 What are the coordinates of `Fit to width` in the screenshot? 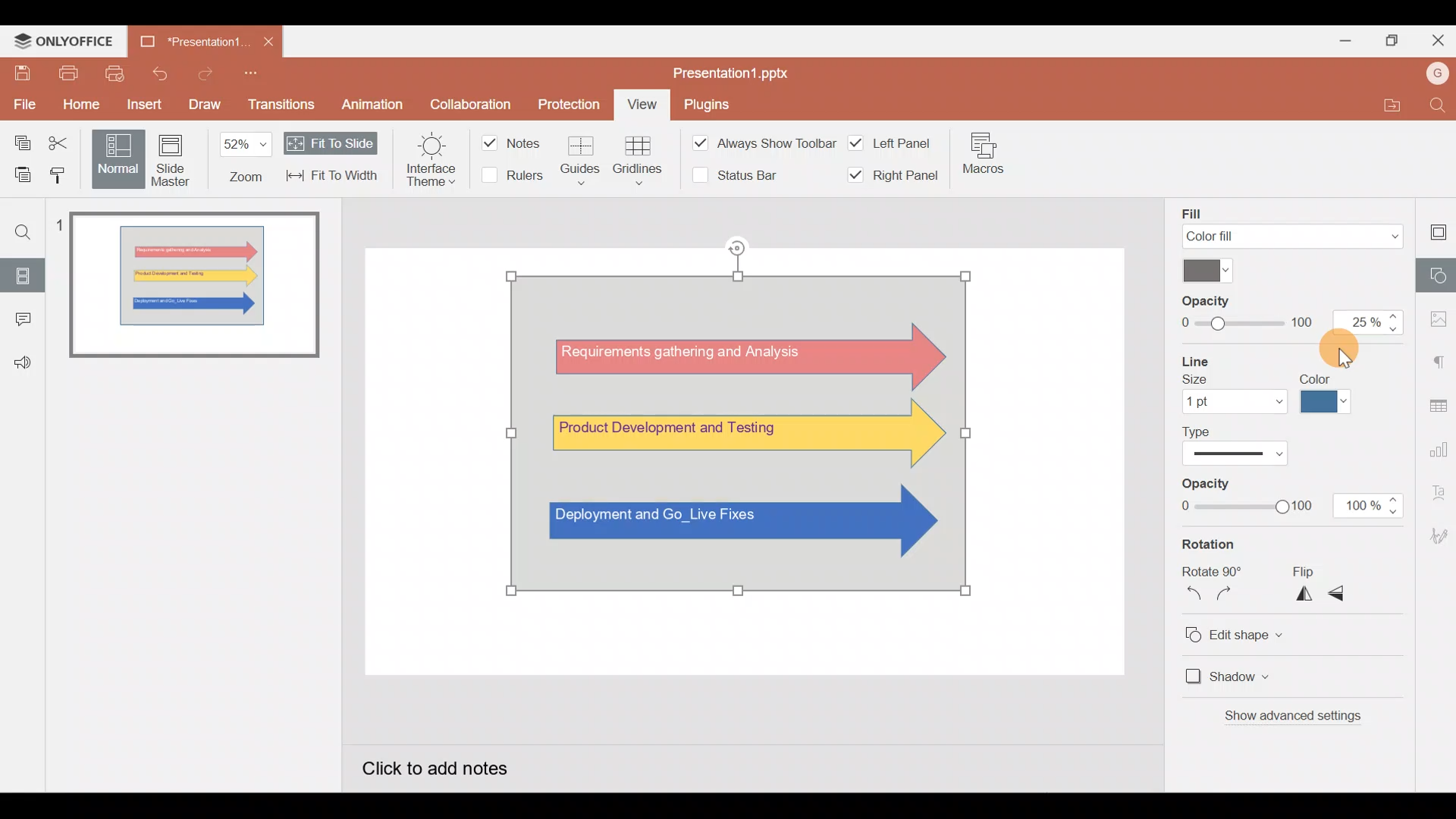 It's located at (333, 177).